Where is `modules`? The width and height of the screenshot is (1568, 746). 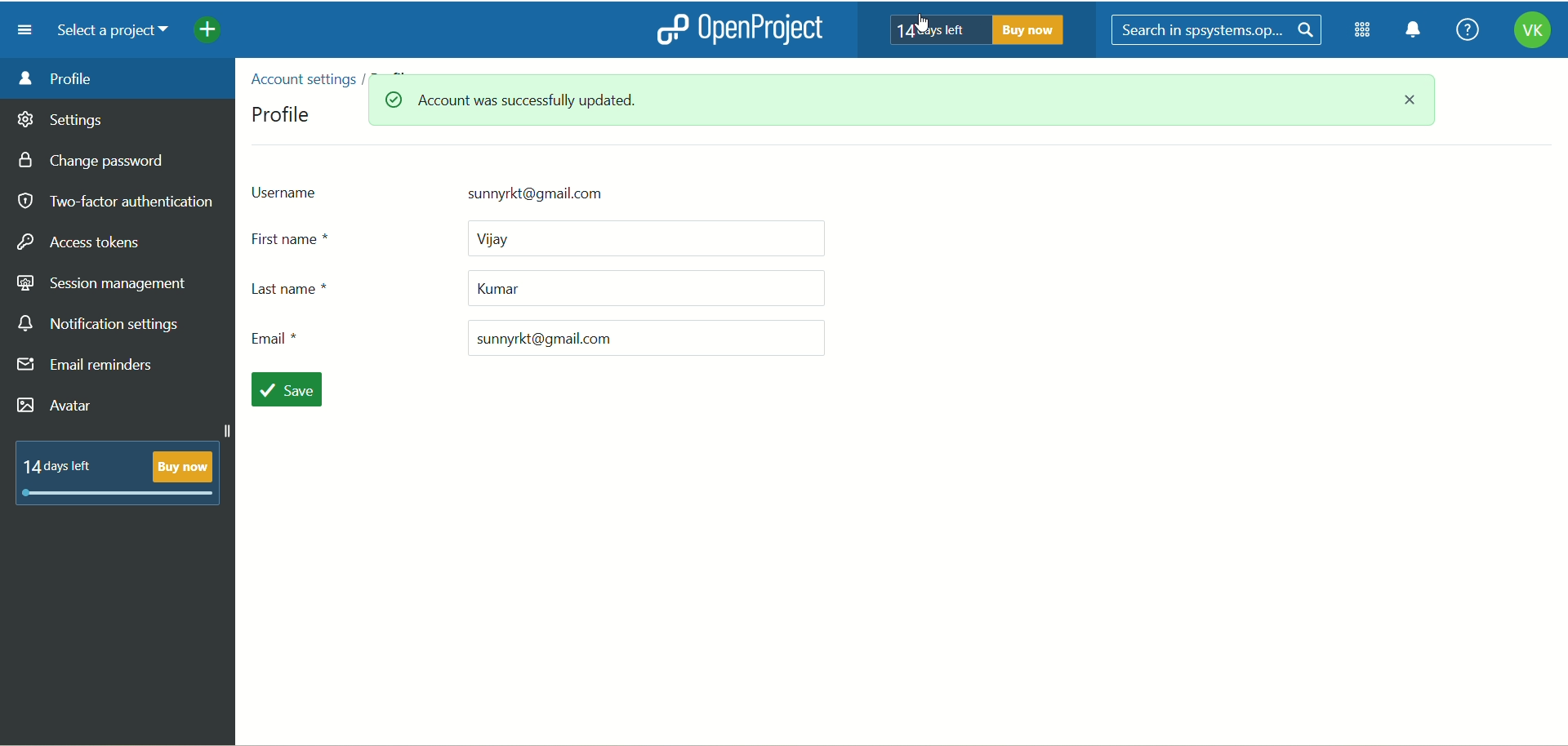 modules is located at coordinates (1364, 33).